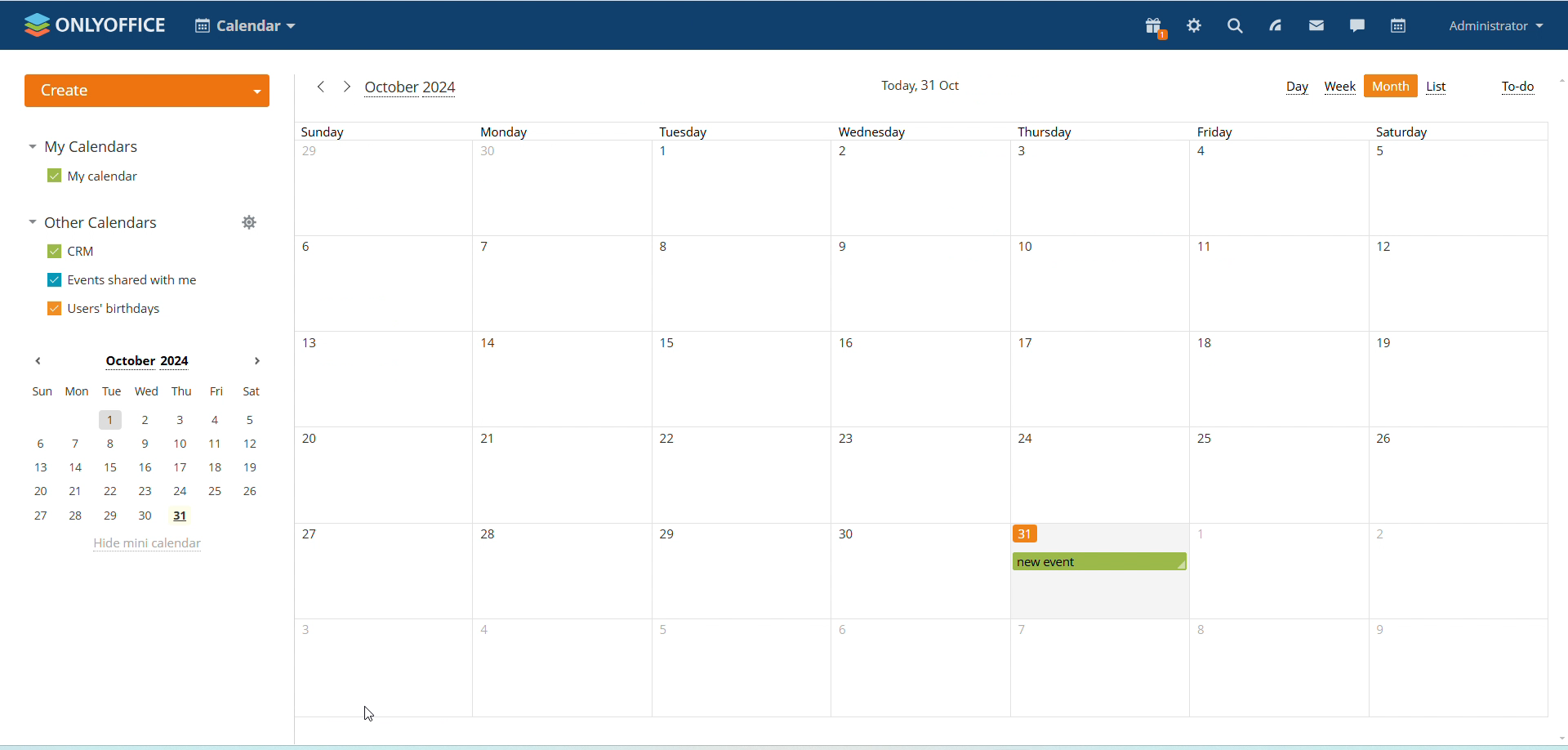 This screenshot has height=750, width=1568. I want to click on calendar, so click(1399, 26).